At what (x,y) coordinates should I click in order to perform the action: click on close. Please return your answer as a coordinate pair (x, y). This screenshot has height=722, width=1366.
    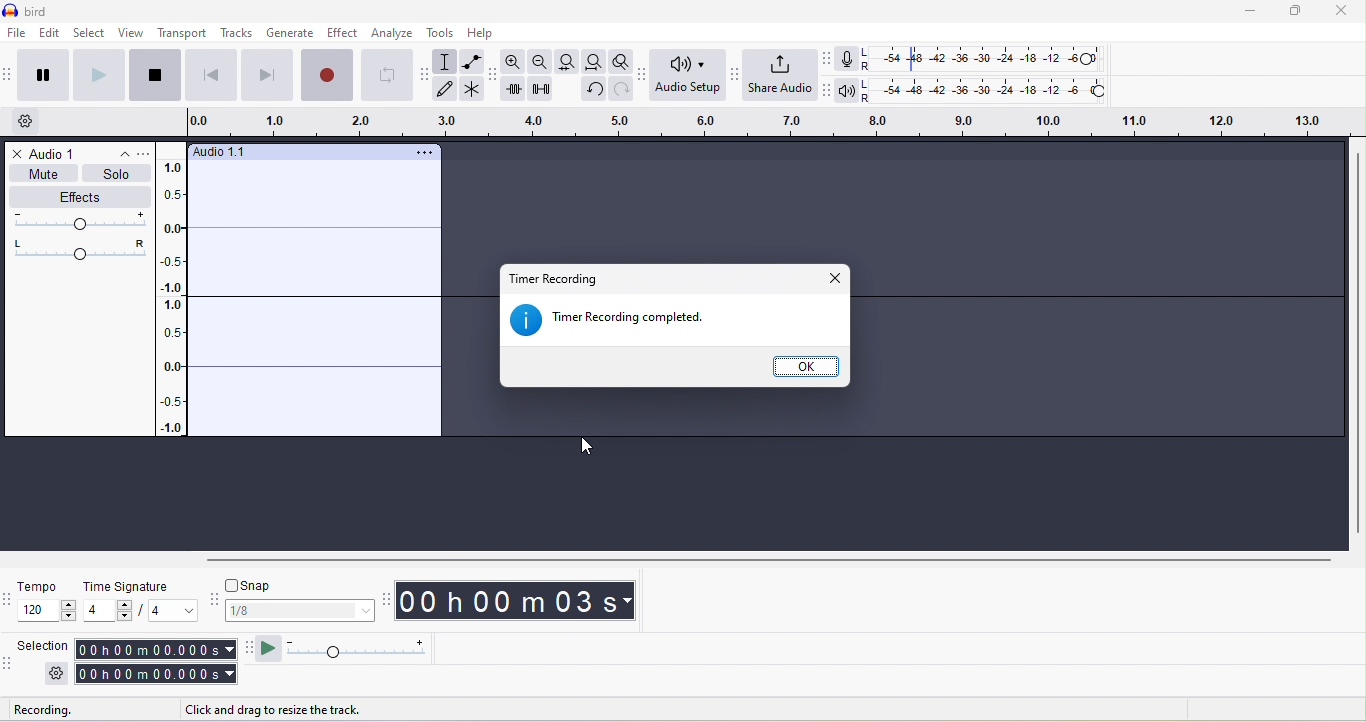
    Looking at the image, I should click on (1343, 12).